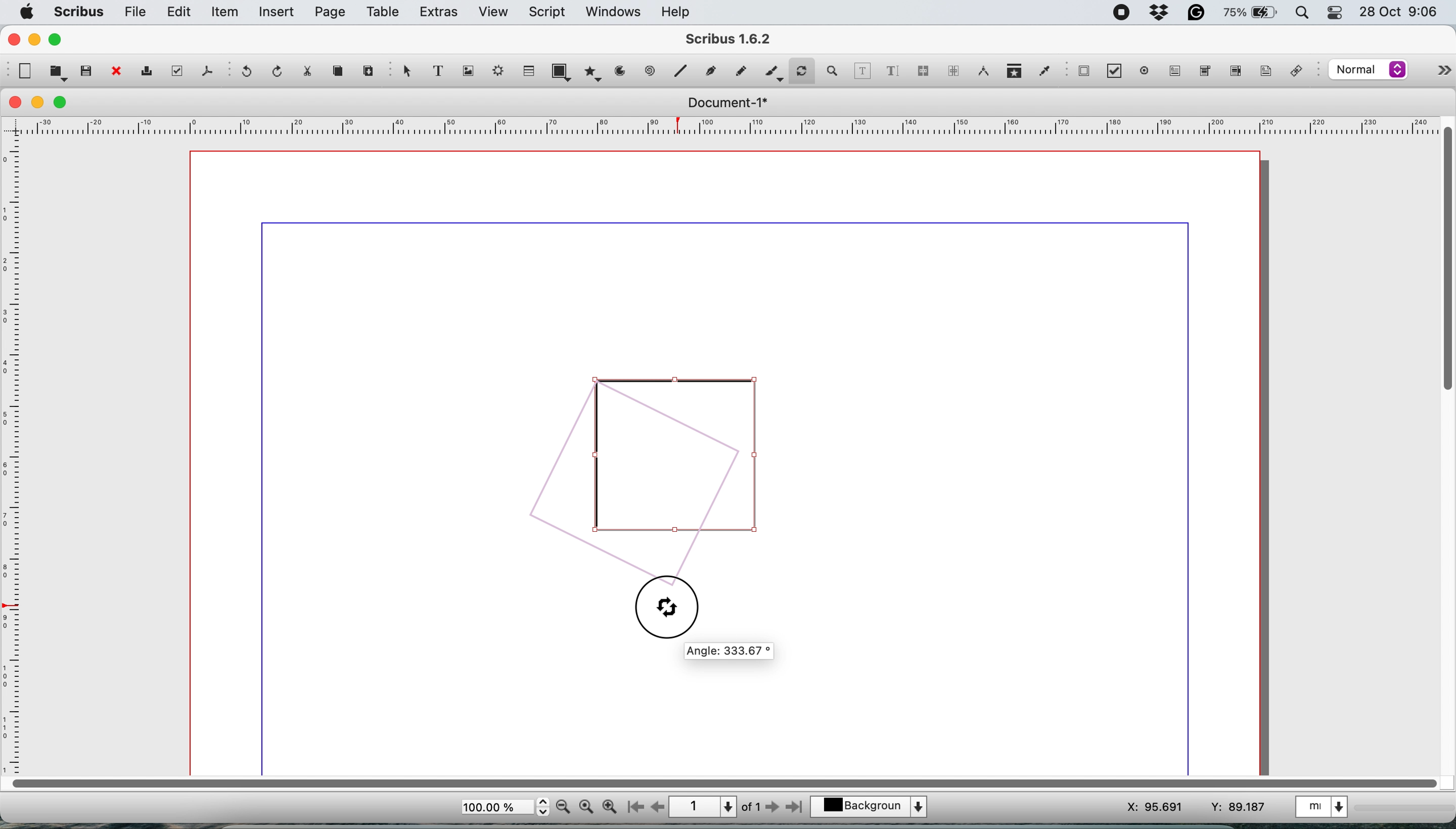 The height and width of the screenshot is (829, 1456). What do you see at coordinates (15, 453) in the screenshot?
I see `vertical scale` at bounding box center [15, 453].